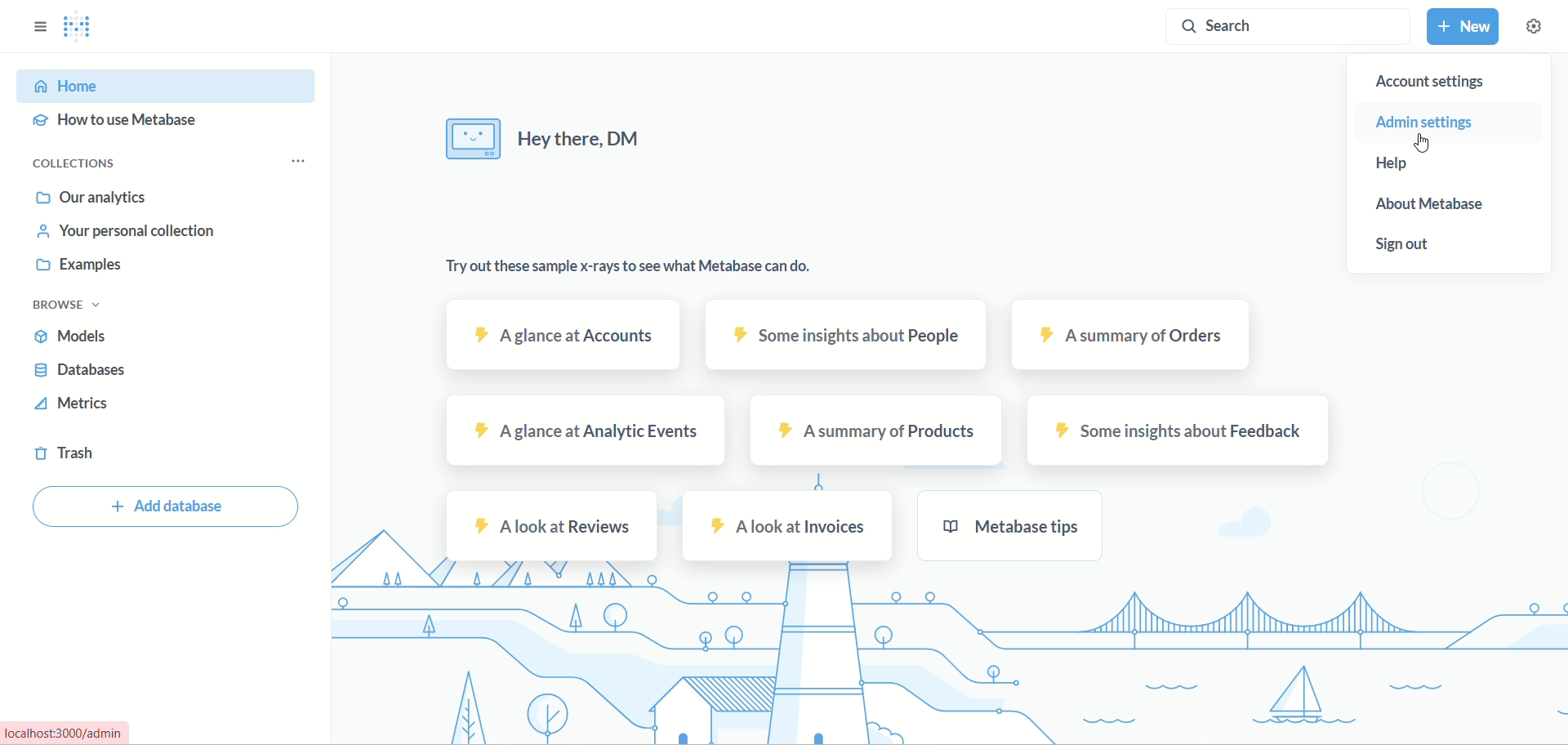  Describe the element at coordinates (116, 121) in the screenshot. I see `how to use metabase` at that location.